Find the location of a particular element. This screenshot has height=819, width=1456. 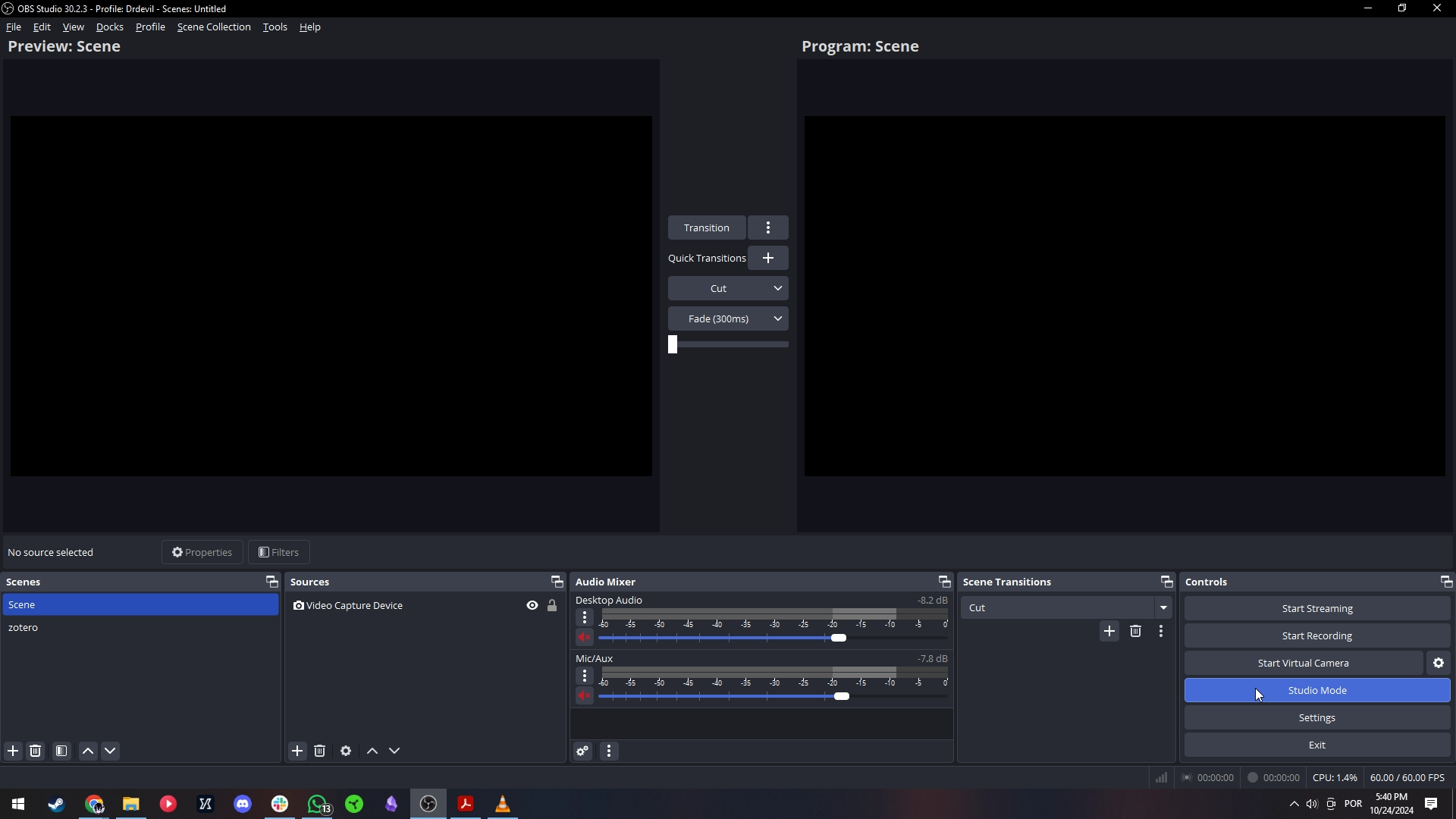

Scene display is located at coordinates (1127, 297).